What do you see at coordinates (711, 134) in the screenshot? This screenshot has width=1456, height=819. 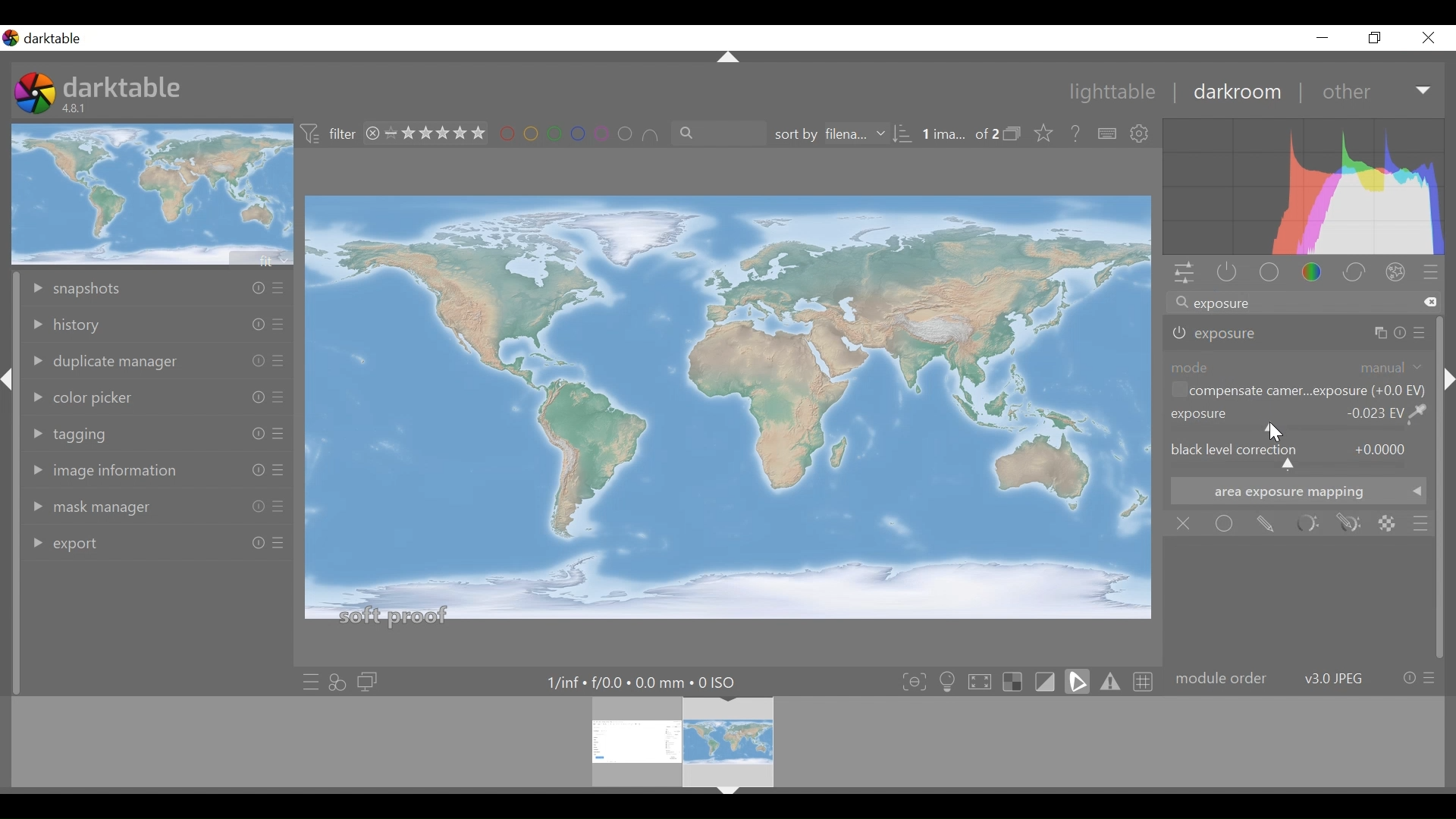 I see `filter by text` at bounding box center [711, 134].